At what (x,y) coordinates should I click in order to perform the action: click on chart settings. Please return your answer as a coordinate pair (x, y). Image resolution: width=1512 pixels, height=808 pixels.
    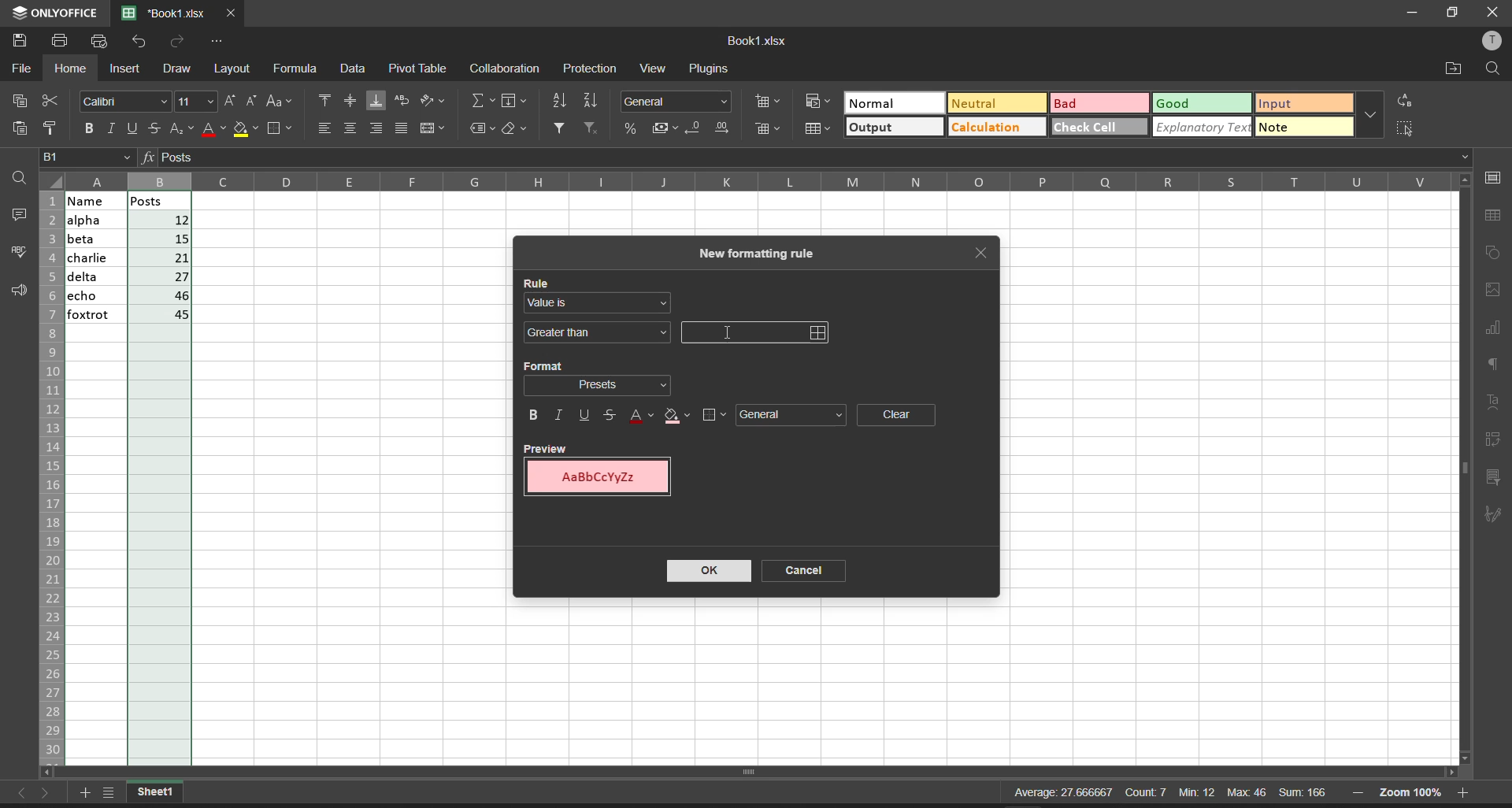
    Looking at the image, I should click on (1497, 329).